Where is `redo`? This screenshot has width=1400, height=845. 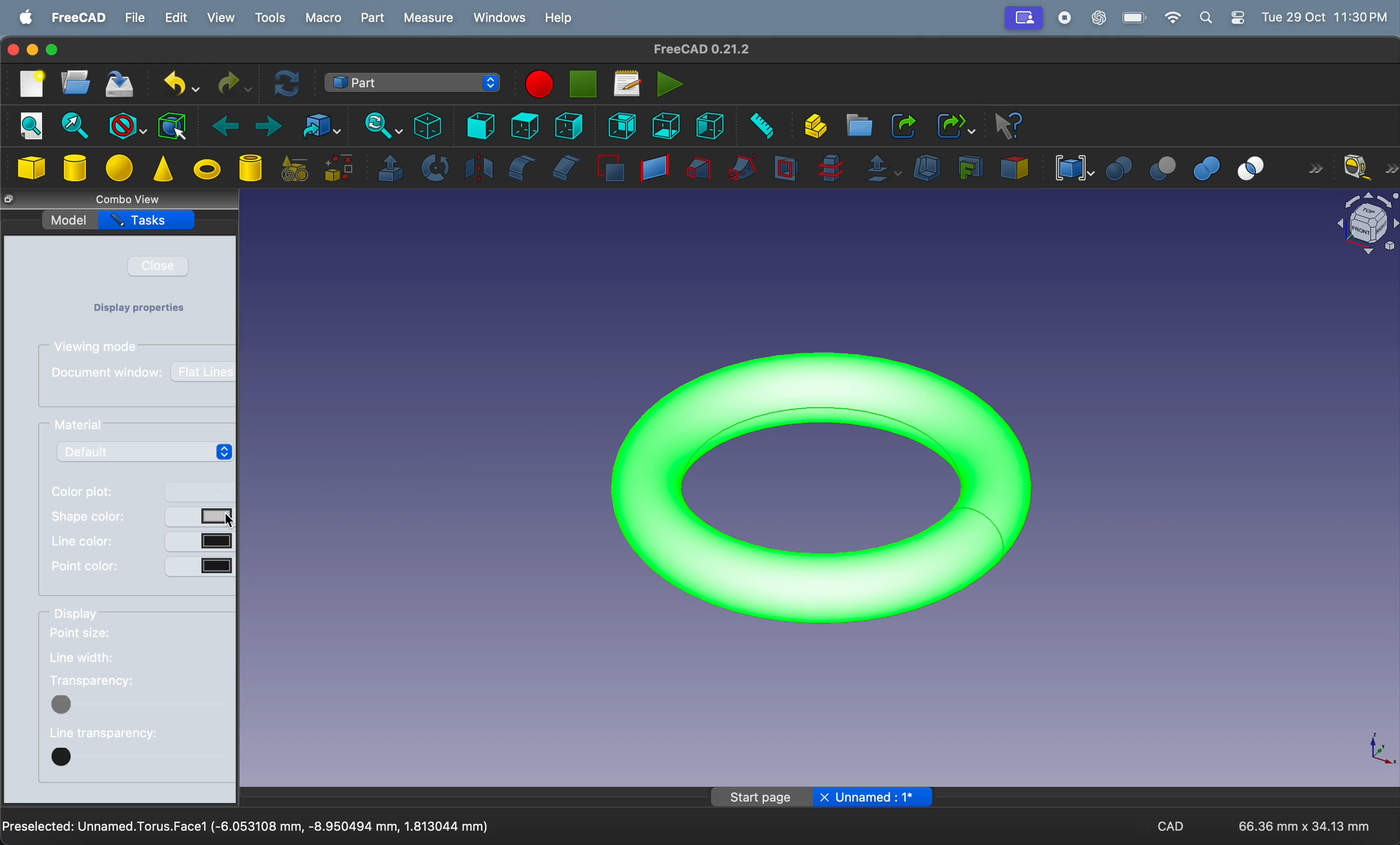
redo is located at coordinates (232, 81).